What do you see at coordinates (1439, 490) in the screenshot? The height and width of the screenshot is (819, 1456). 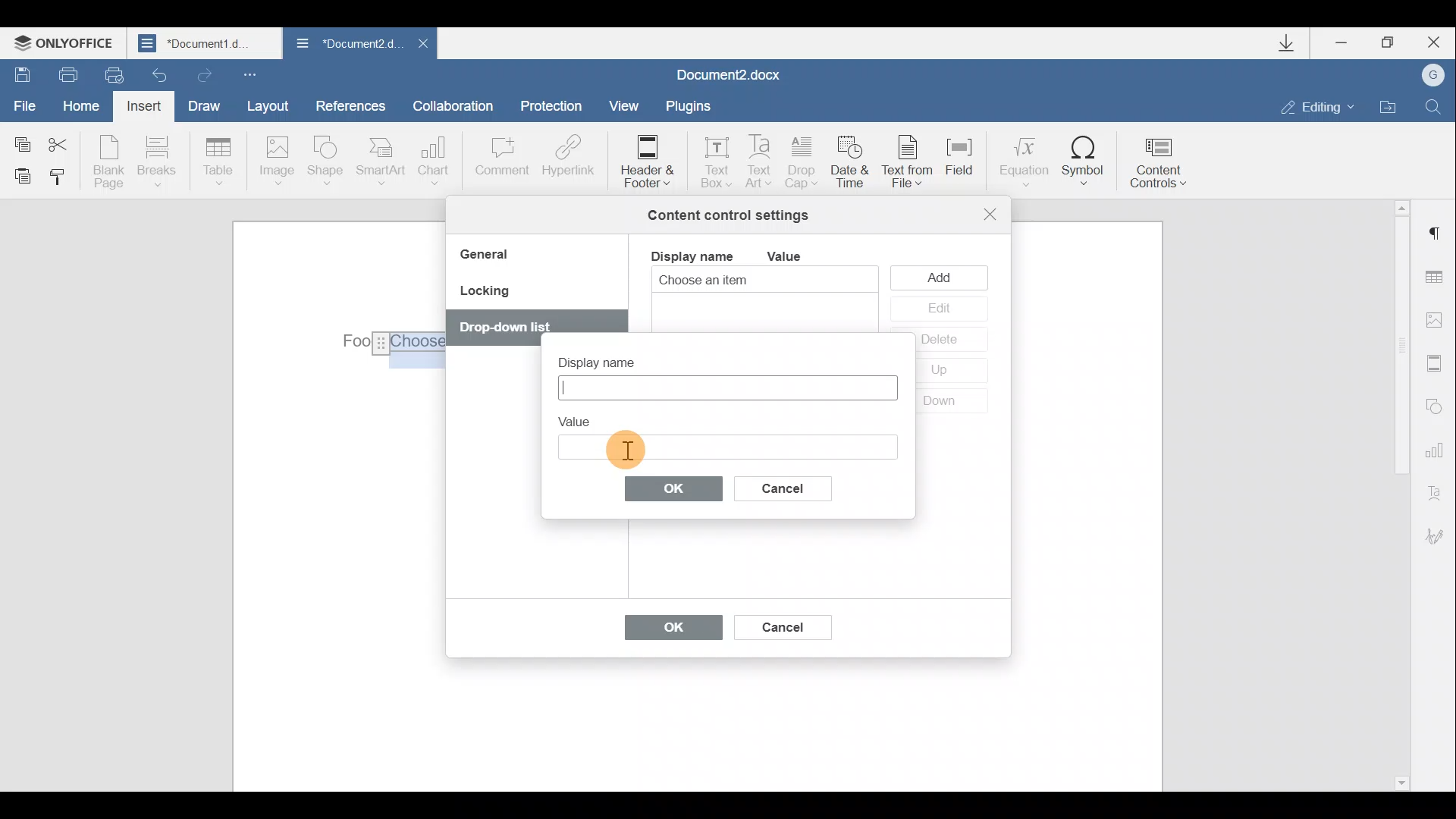 I see `Text Art settings` at bounding box center [1439, 490].